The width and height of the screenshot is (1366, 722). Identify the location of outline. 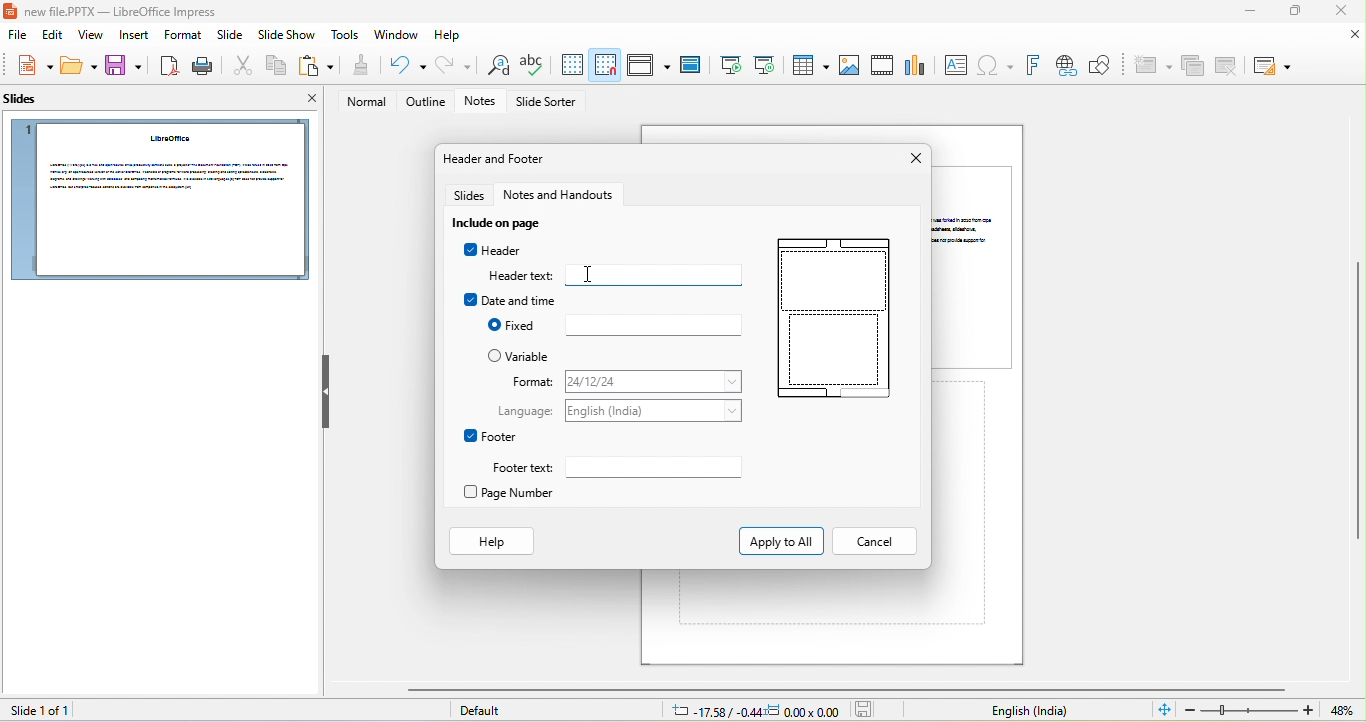
(426, 102).